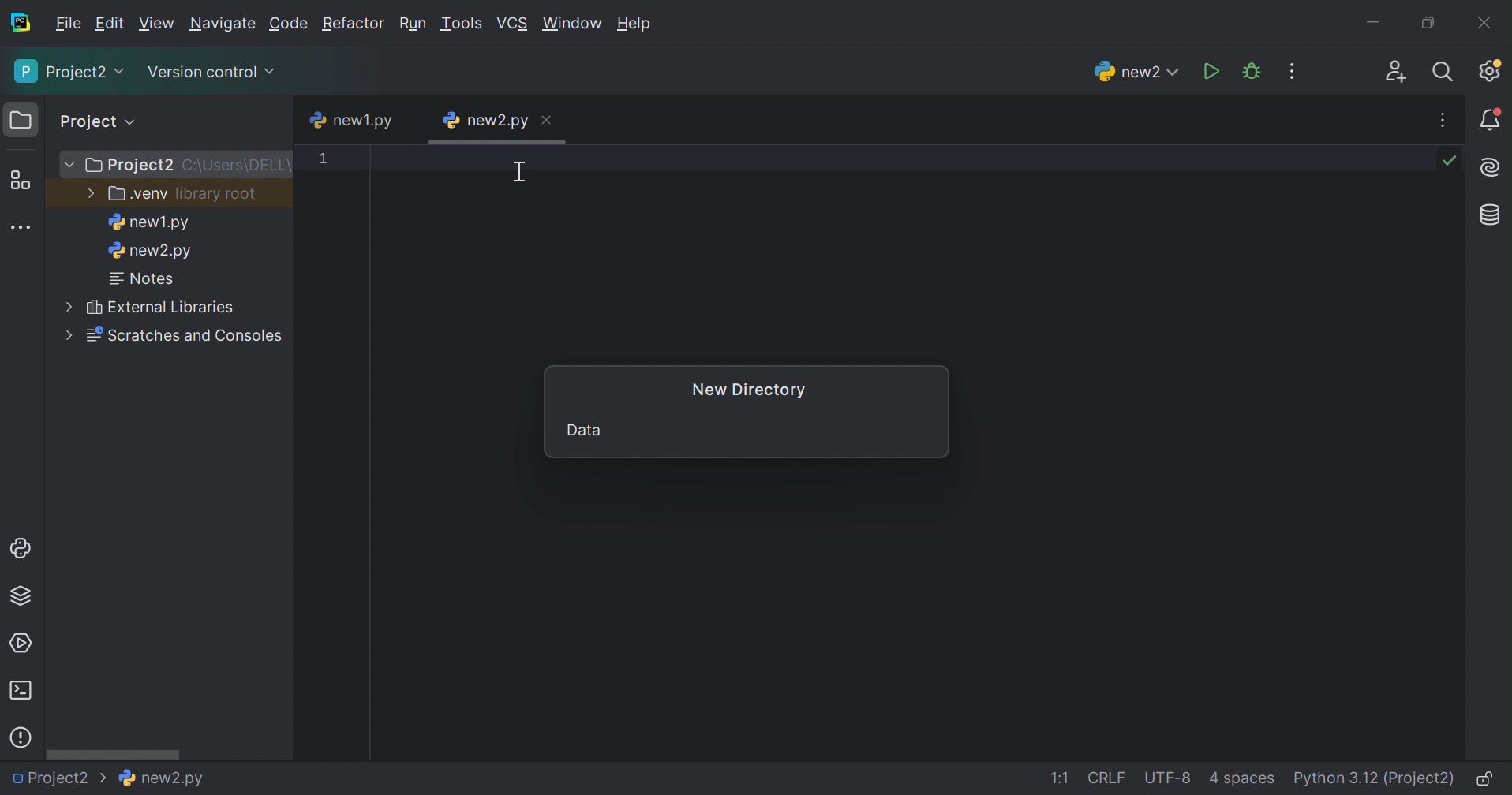  Describe the element at coordinates (21, 738) in the screenshot. I see `Problems` at that location.